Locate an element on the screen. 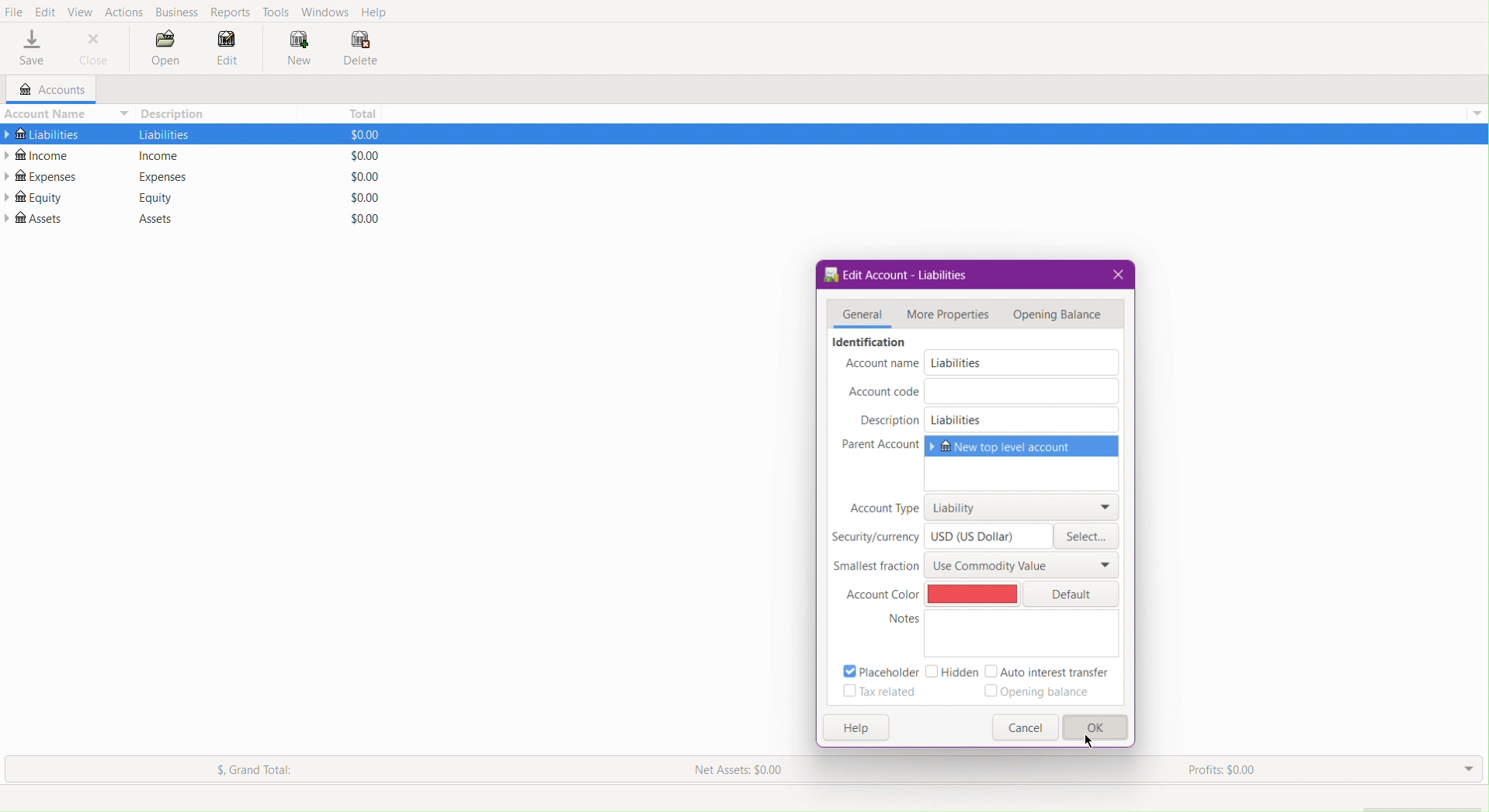 This screenshot has height=812, width=1489.  is located at coordinates (1026, 729).